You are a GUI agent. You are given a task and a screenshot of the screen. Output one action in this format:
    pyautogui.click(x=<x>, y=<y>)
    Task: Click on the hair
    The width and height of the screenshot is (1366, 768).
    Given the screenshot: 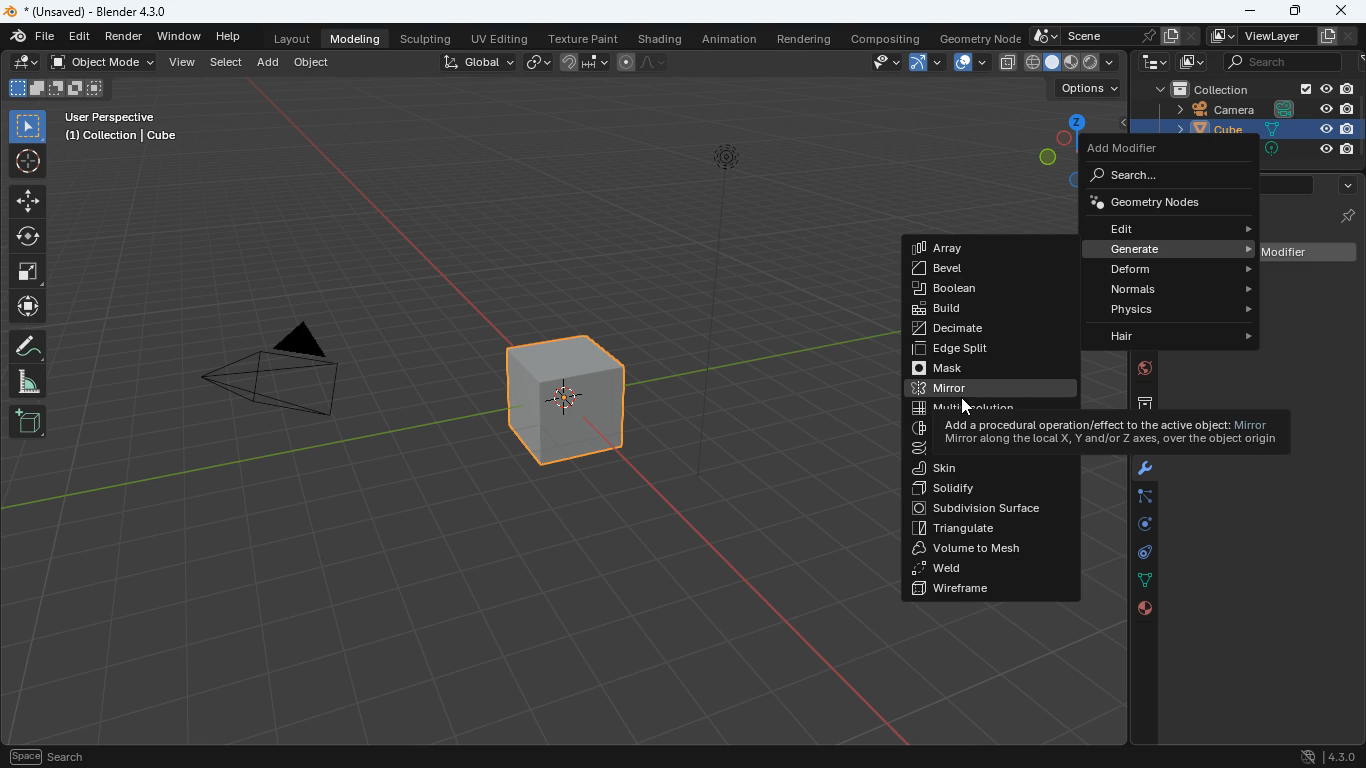 What is the action you would take?
    pyautogui.click(x=1177, y=336)
    